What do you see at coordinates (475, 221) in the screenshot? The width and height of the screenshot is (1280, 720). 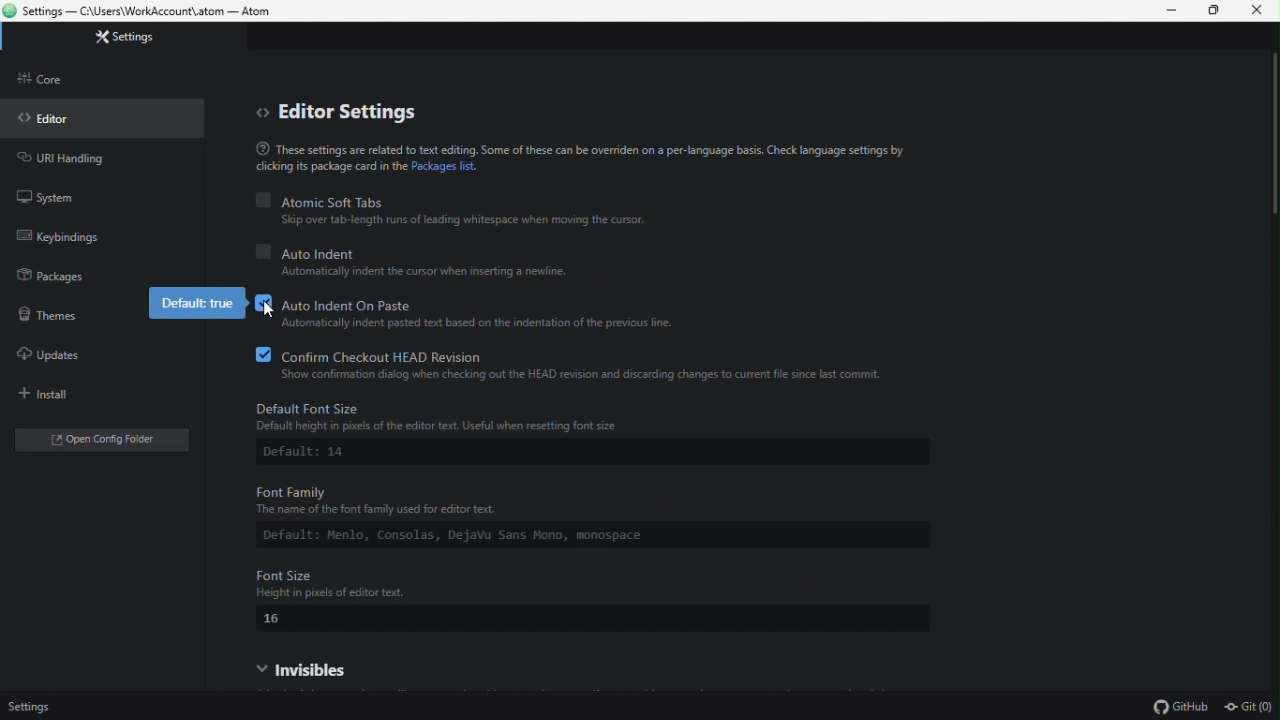 I see `Skip over tab-length runs of leading whitespace when moving the cursor.` at bounding box center [475, 221].